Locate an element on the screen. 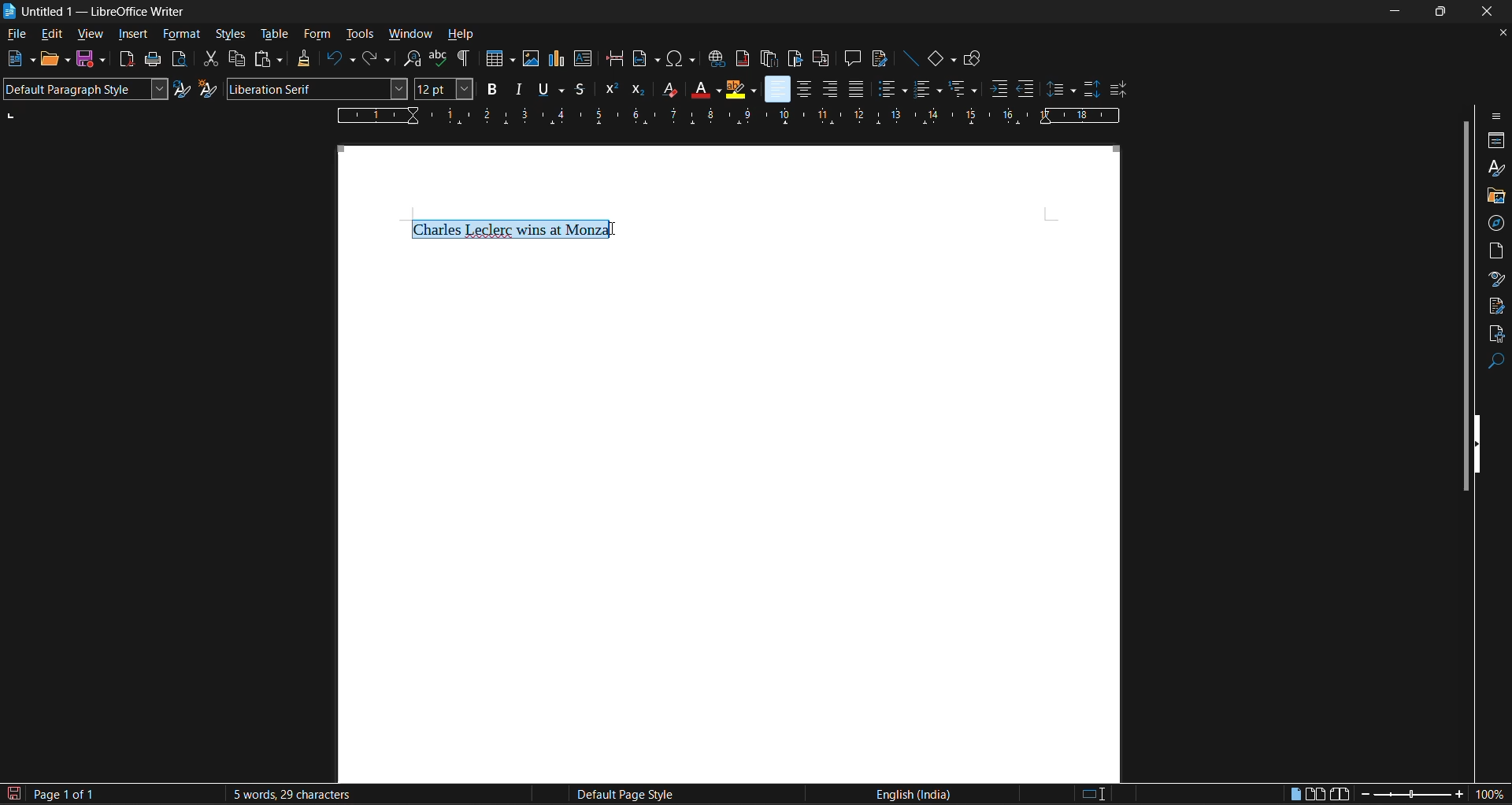 The image size is (1512, 805). standard selection is located at coordinates (1093, 796).